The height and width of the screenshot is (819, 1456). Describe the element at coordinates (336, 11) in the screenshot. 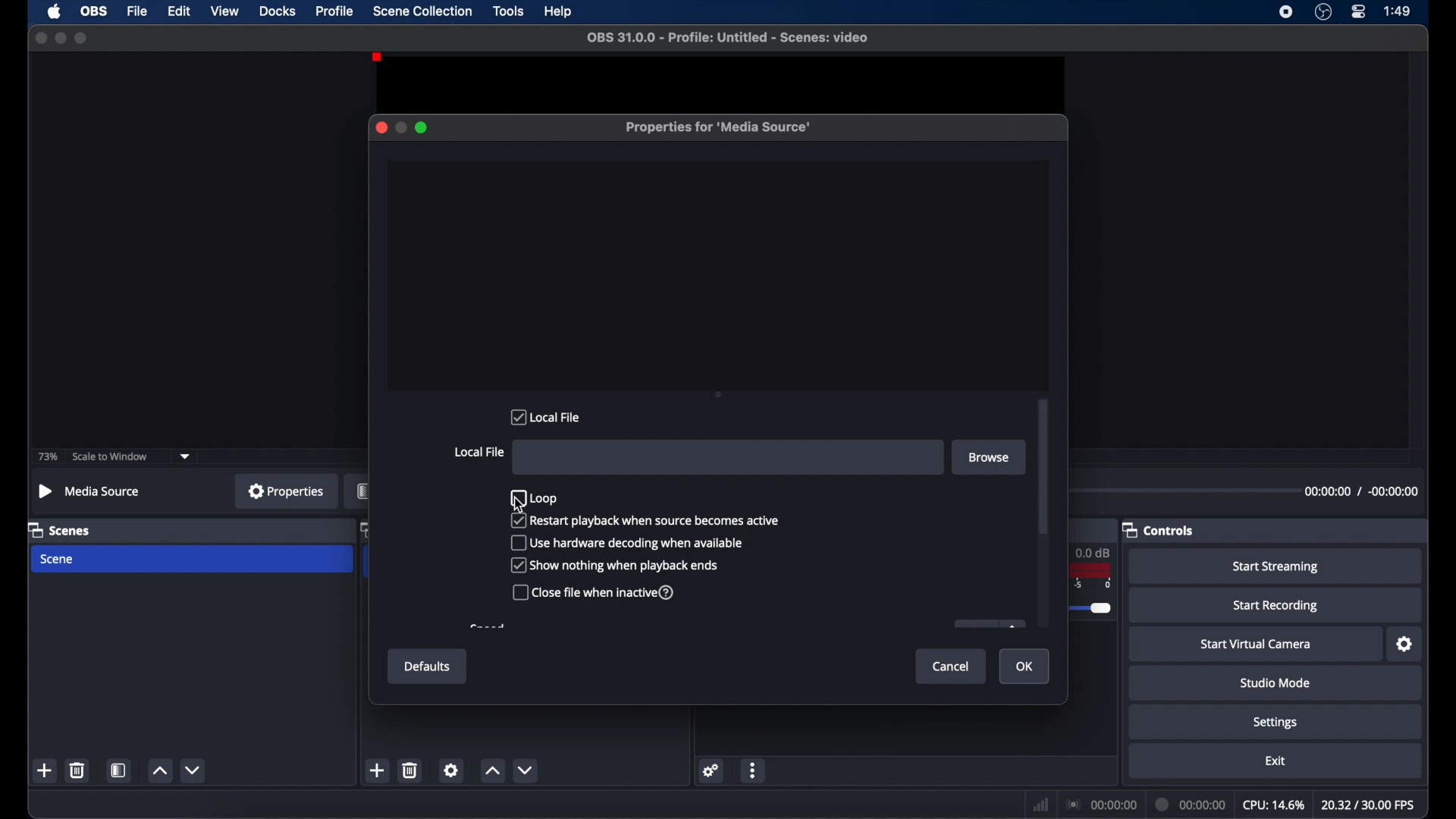

I see `profile` at that location.